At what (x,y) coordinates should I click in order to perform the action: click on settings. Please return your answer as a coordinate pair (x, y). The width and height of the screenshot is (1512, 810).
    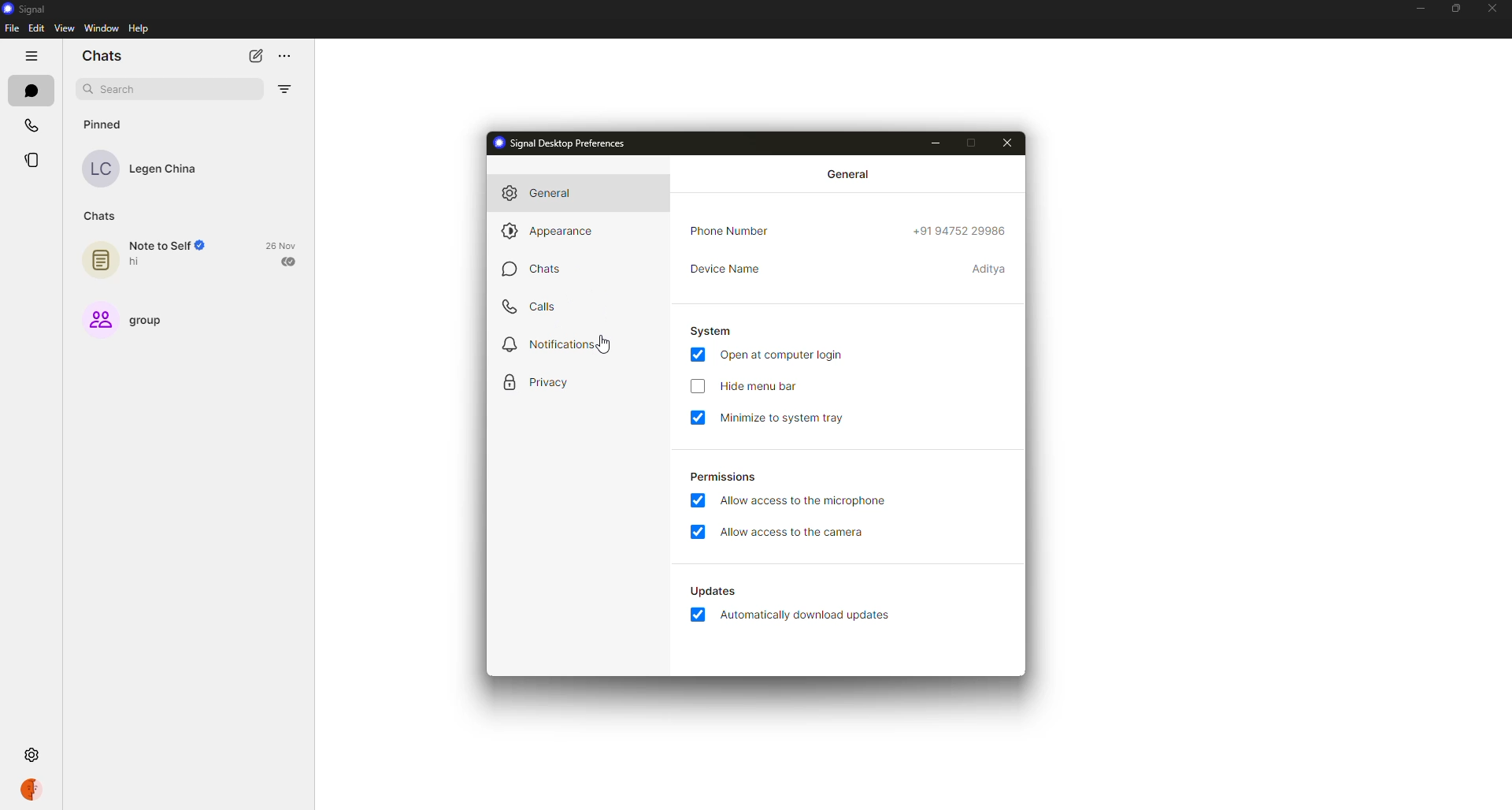
    Looking at the image, I should click on (34, 754).